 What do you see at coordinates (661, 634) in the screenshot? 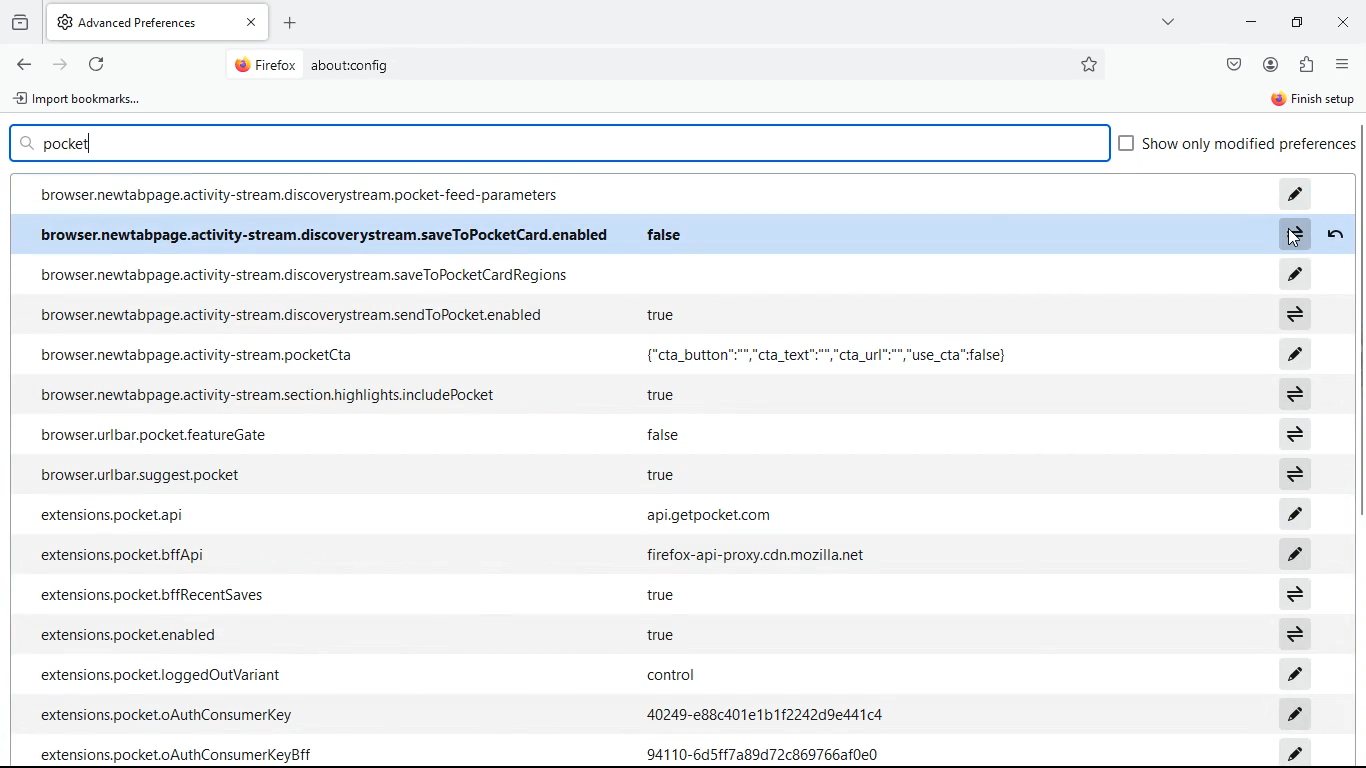
I see `true` at bounding box center [661, 634].